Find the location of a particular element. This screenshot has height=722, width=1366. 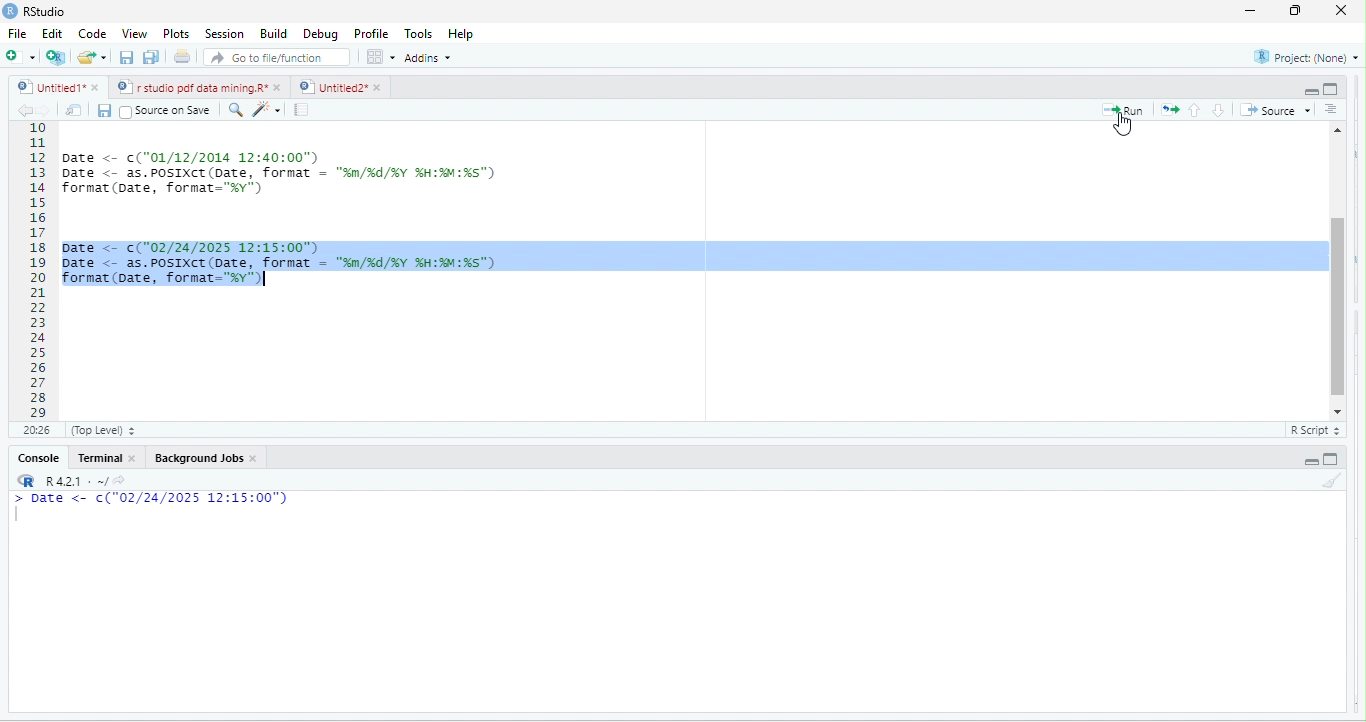

close is located at coordinates (380, 88).